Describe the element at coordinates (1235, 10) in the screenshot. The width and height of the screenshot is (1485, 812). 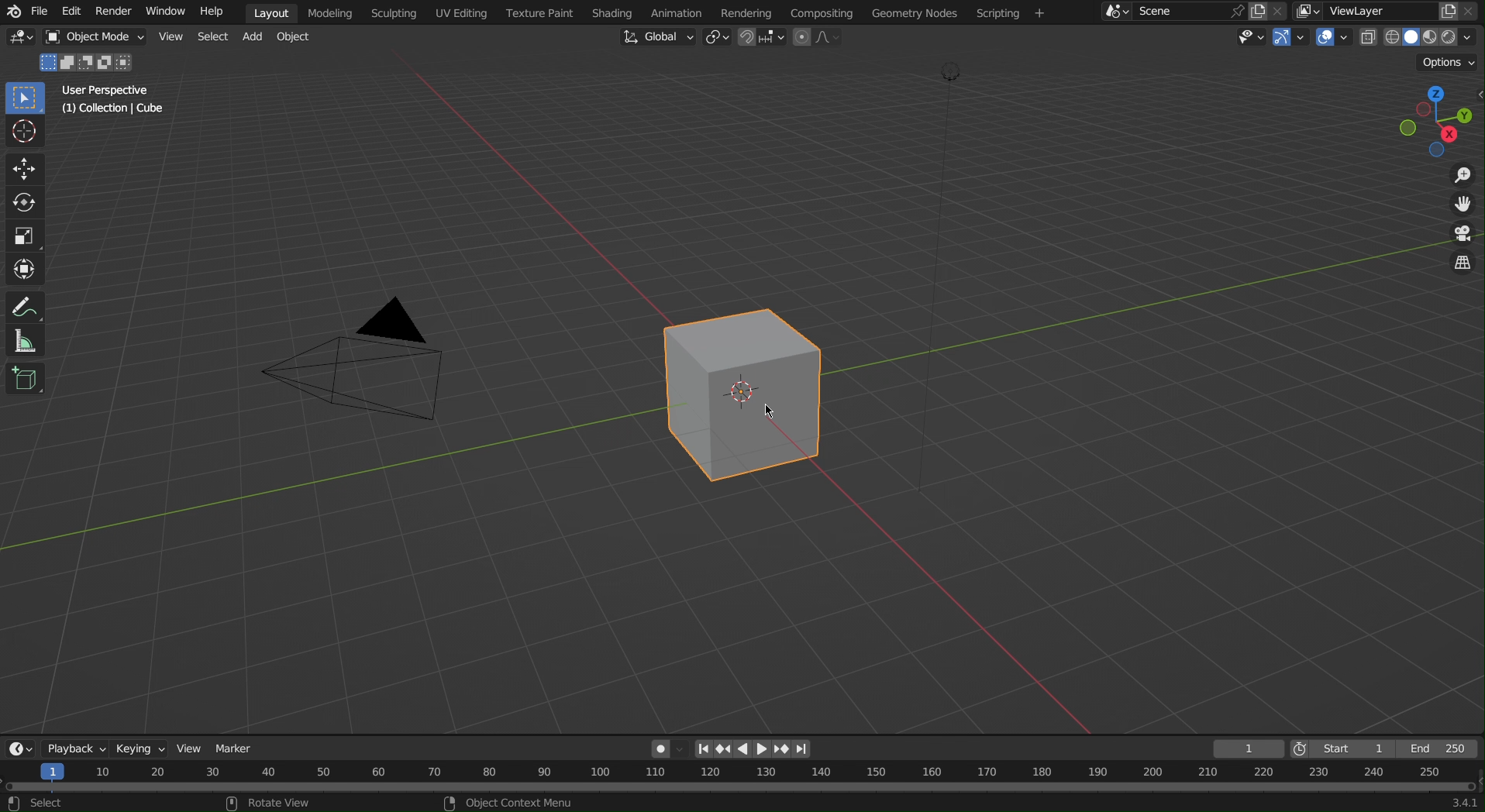
I see `pin` at that location.